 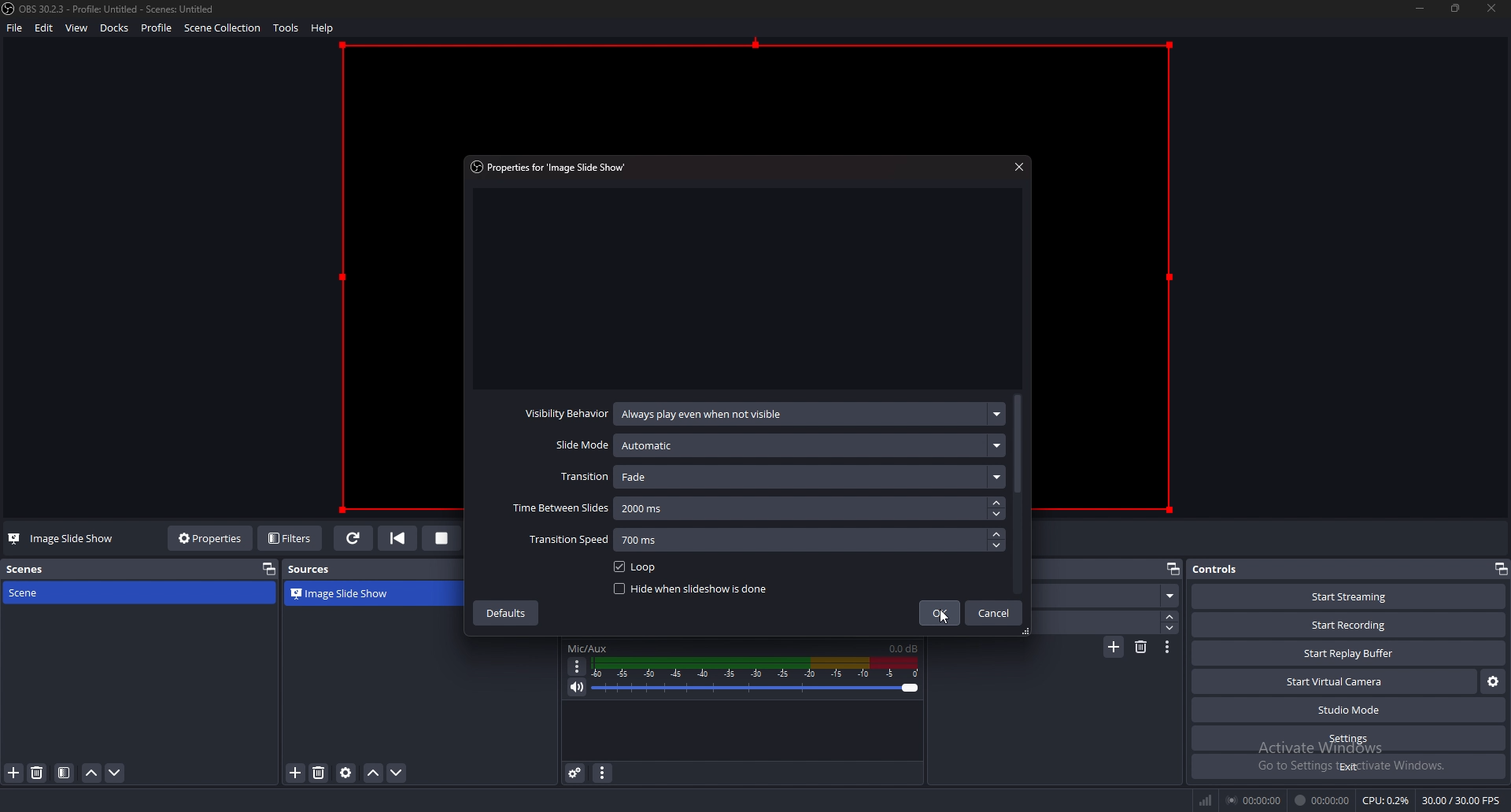 What do you see at coordinates (156, 26) in the screenshot?
I see `profile` at bounding box center [156, 26].